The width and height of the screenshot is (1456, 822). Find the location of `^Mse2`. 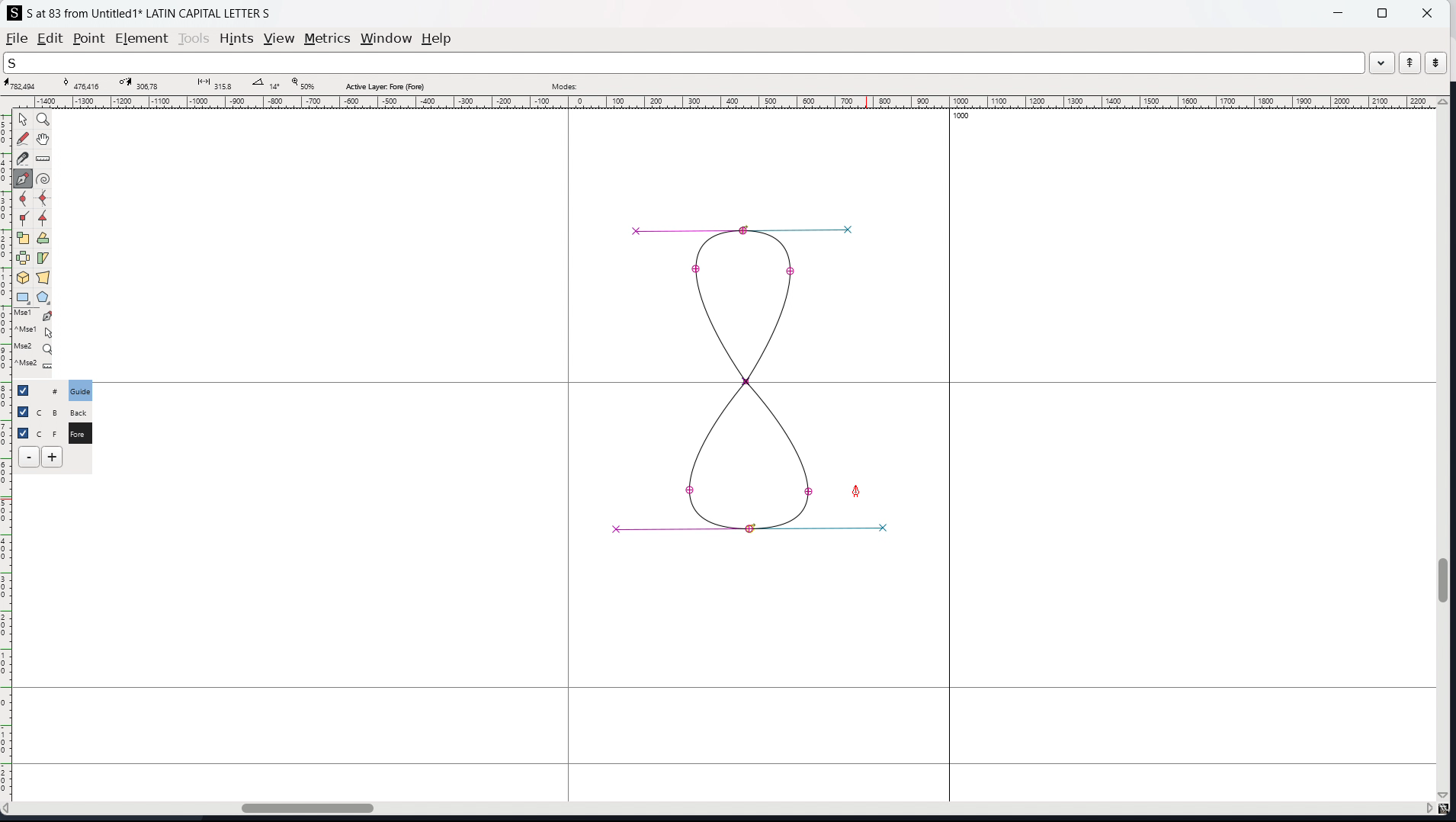

^Mse2 is located at coordinates (35, 366).